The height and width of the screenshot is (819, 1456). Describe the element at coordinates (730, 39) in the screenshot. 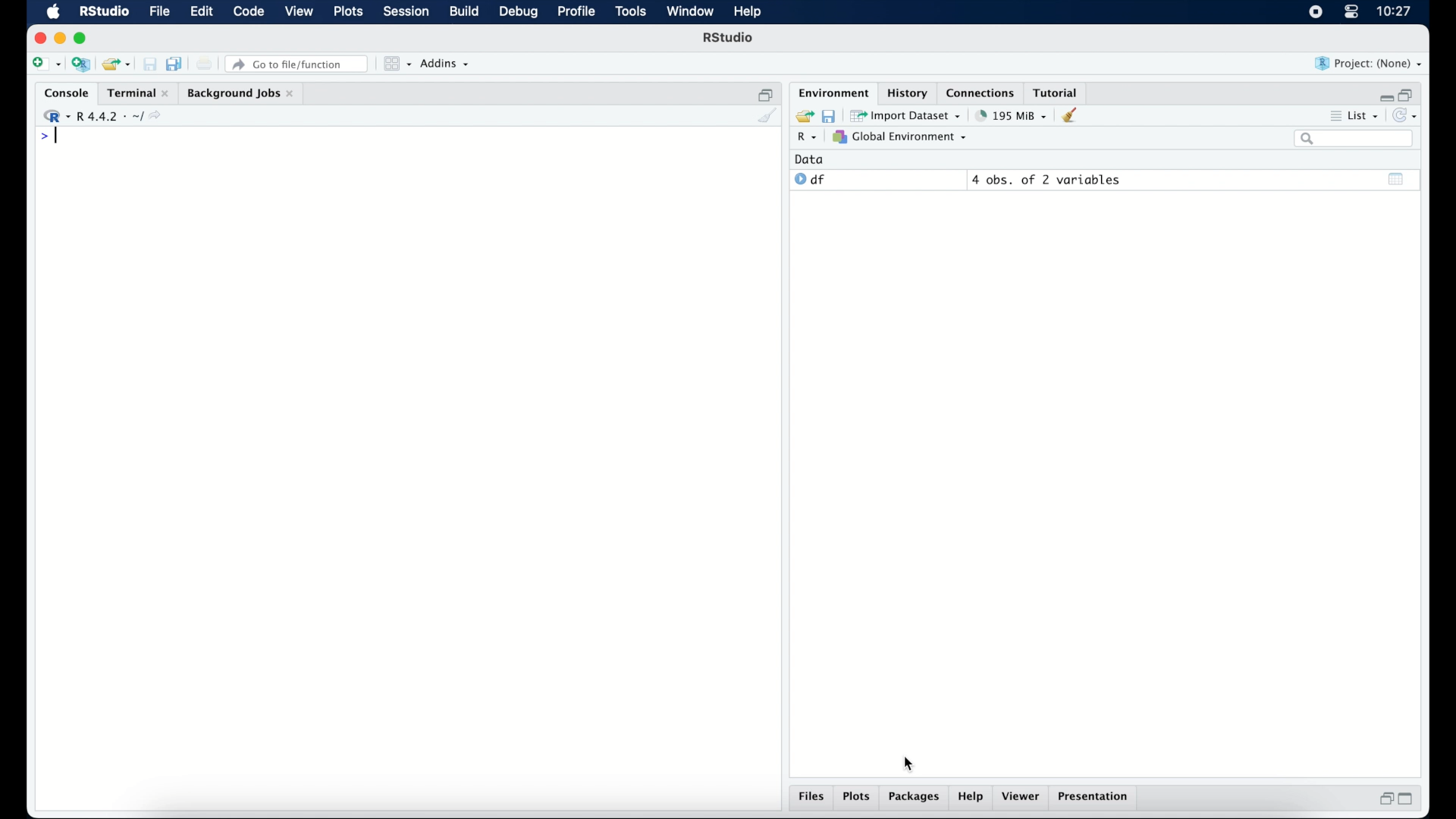

I see `R Studio` at that location.